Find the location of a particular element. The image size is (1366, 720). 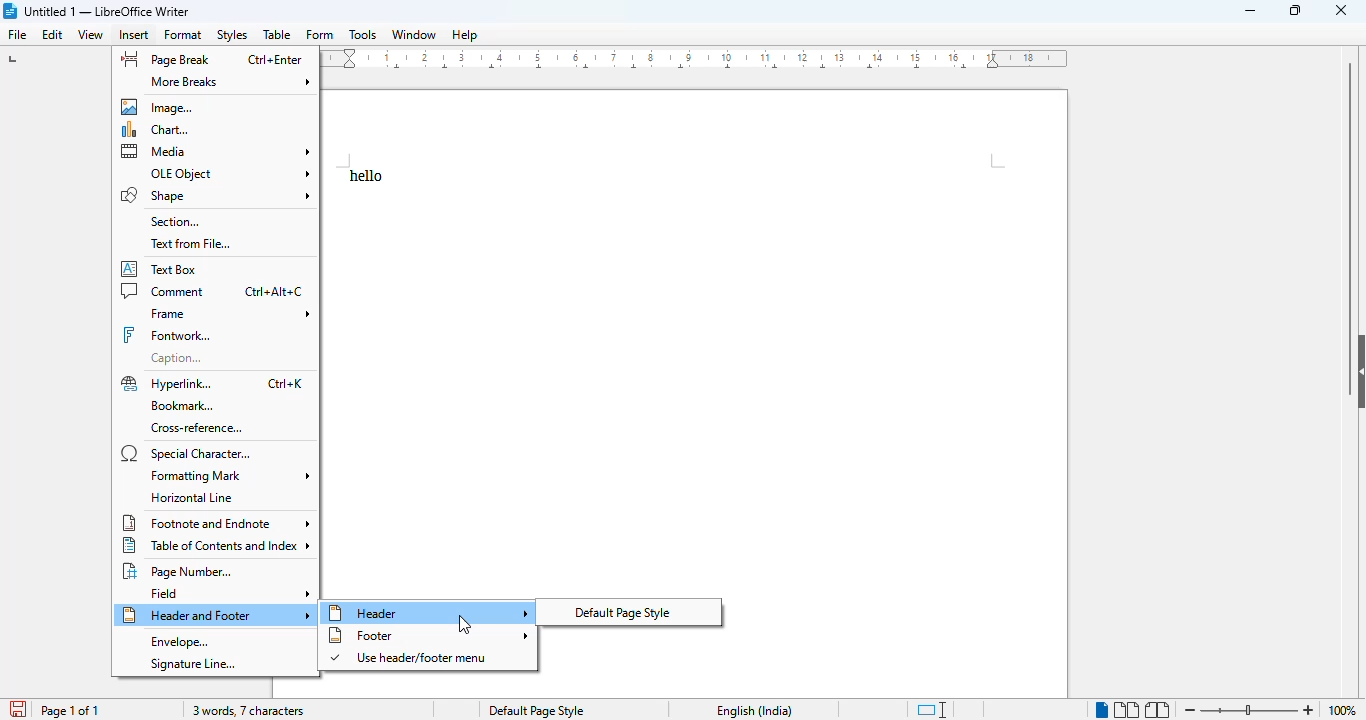

minimize is located at coordinates (1249, 11).